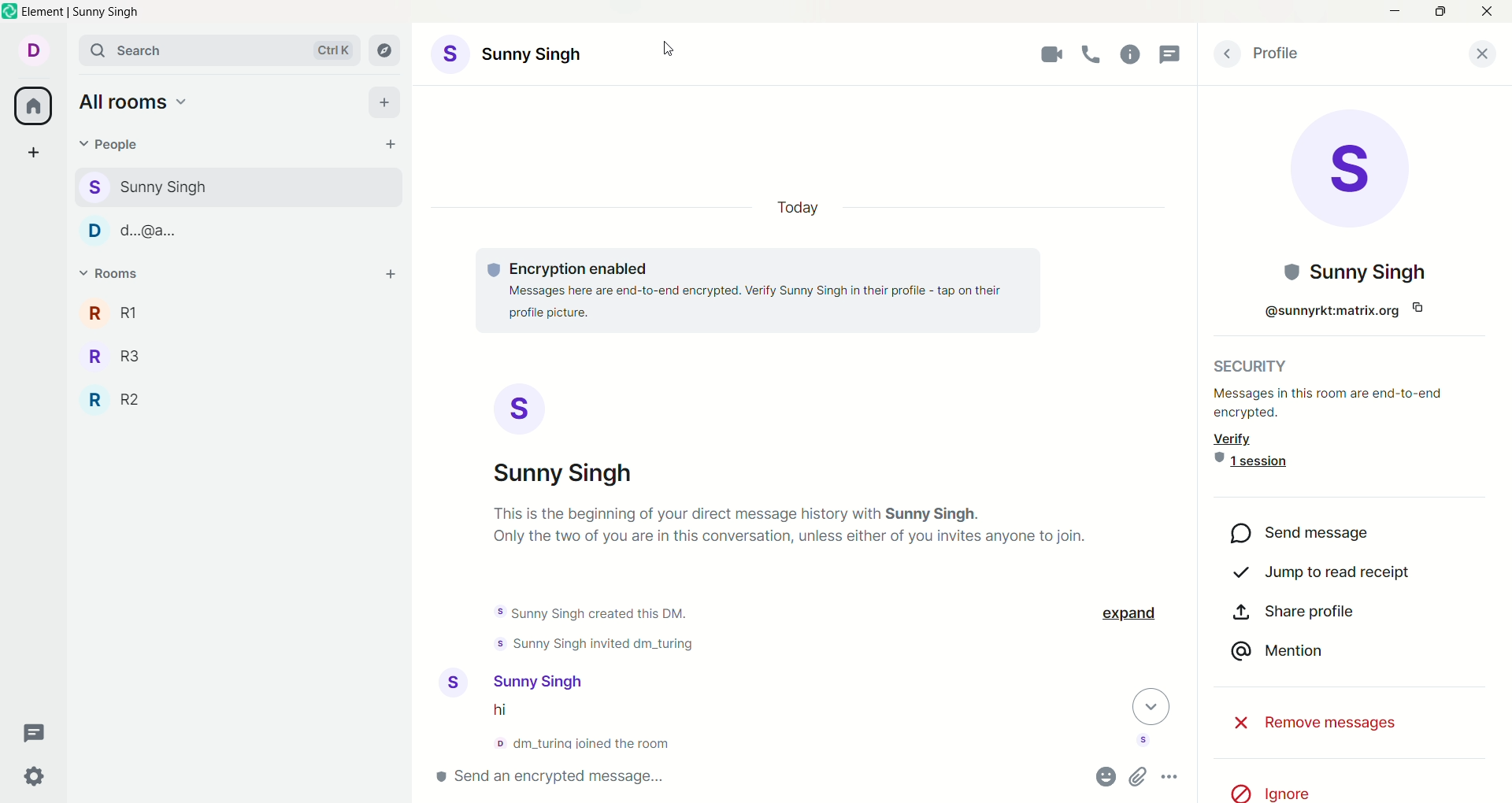 The width and height of the screenshot is (1512, 803). Describe the element at coordinates (1417, 306) in the screenshot. I see `copy` at that location.